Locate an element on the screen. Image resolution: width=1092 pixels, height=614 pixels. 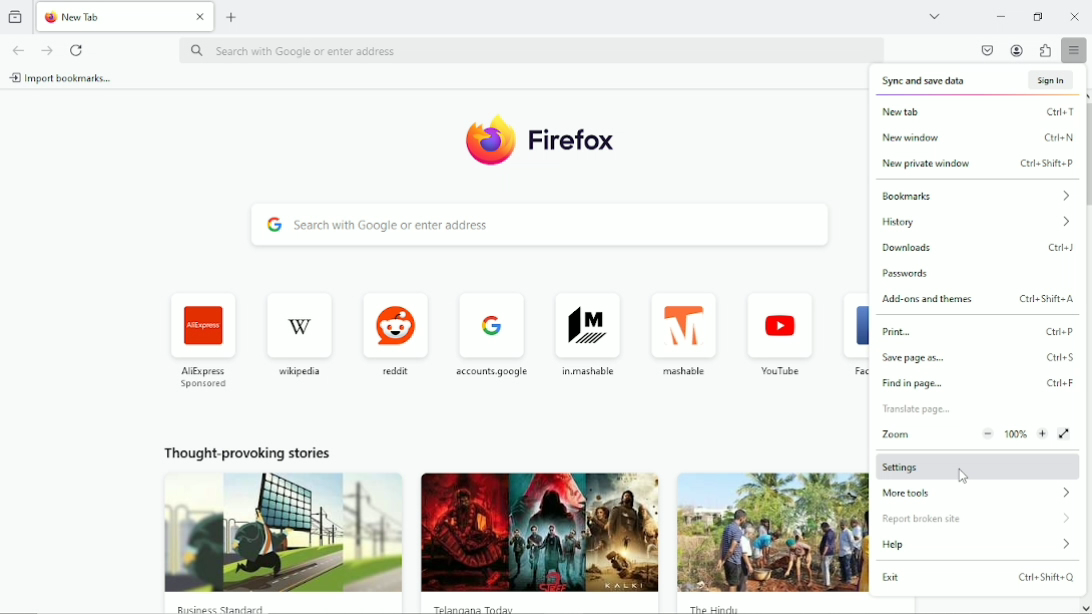
list all tabs is located at coordinates (934, 16).